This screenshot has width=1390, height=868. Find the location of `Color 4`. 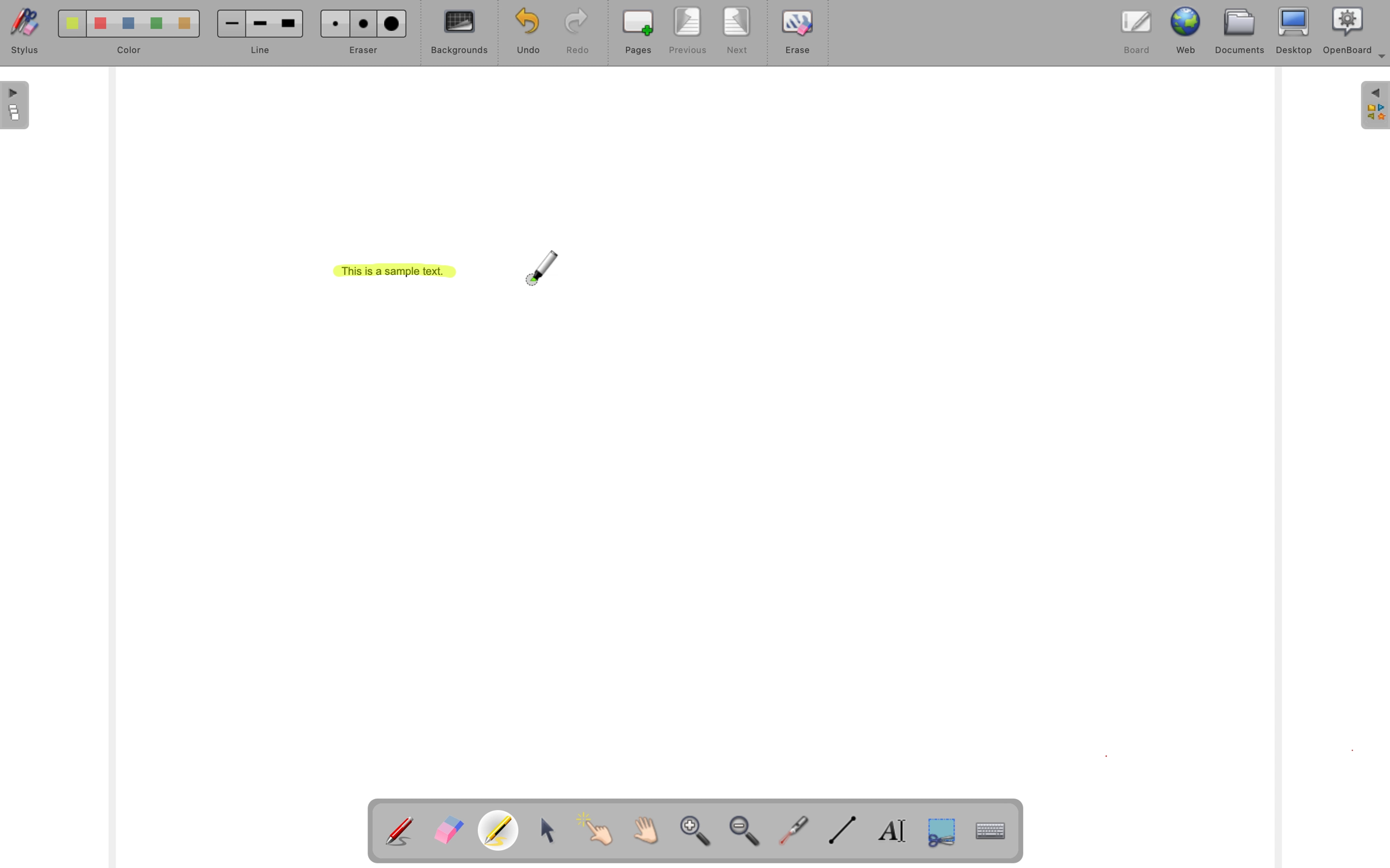

Color 4 is located at coordinates (157, 24).